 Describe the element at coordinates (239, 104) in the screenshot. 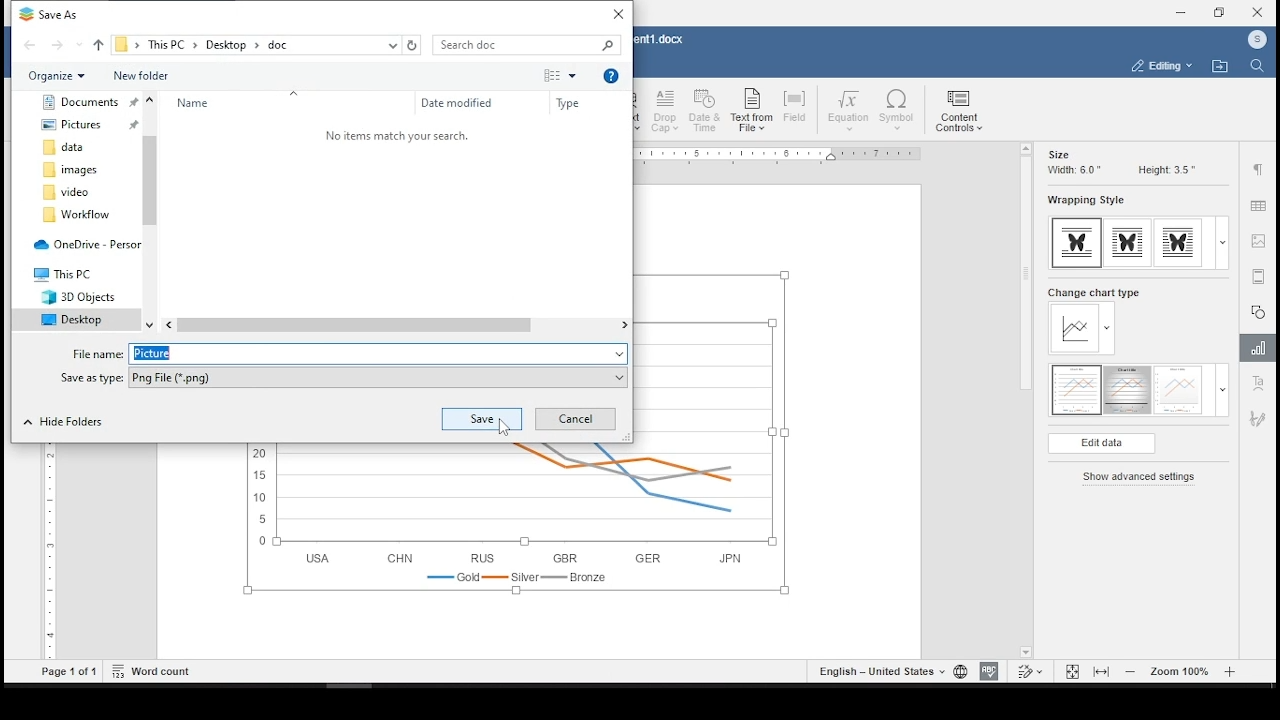

I see `Name` at that location.